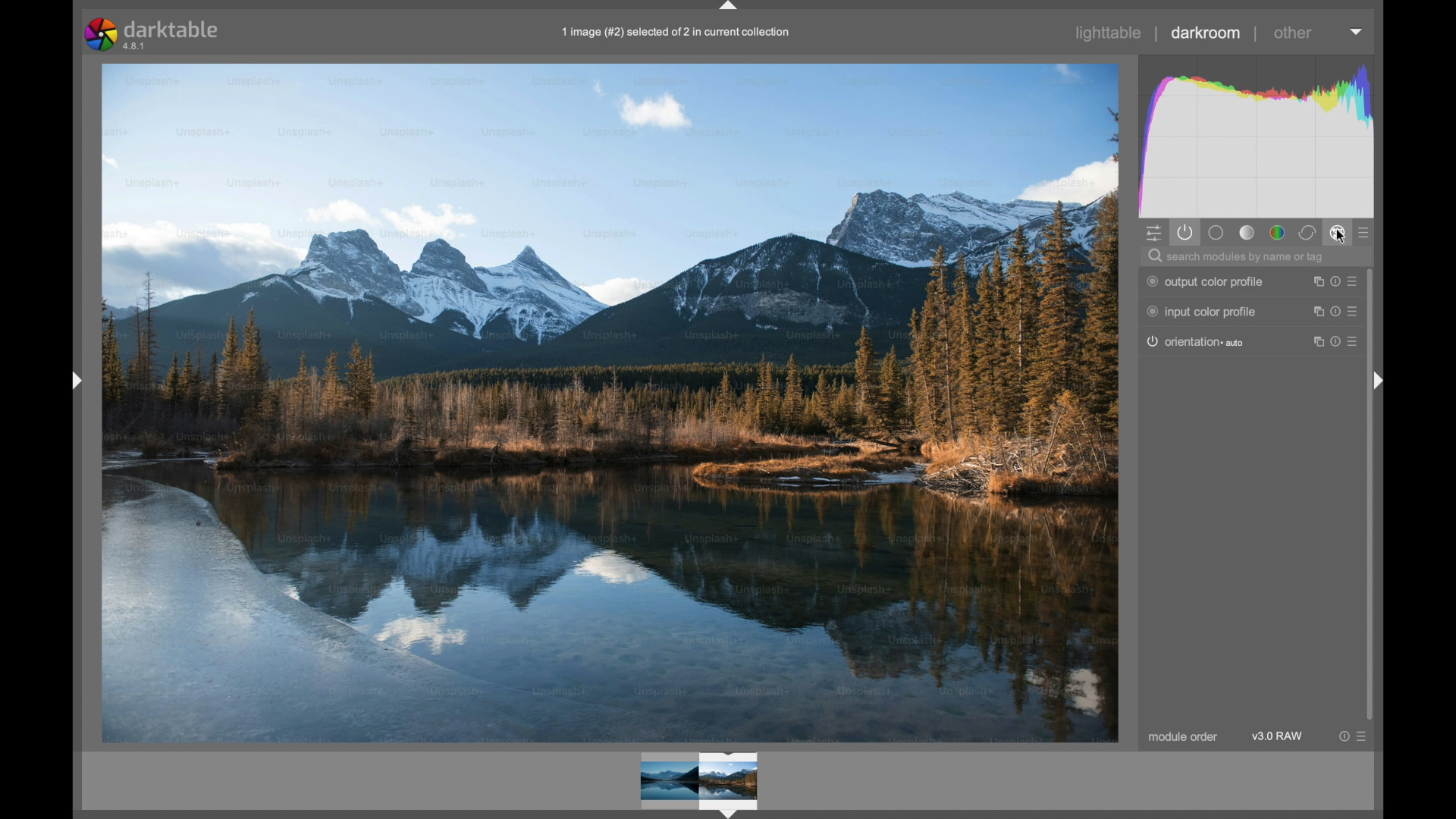  What do you see at coordinates (1364, 736) in the screenshot?
I see `presets` at bounding box center [1364, 736].